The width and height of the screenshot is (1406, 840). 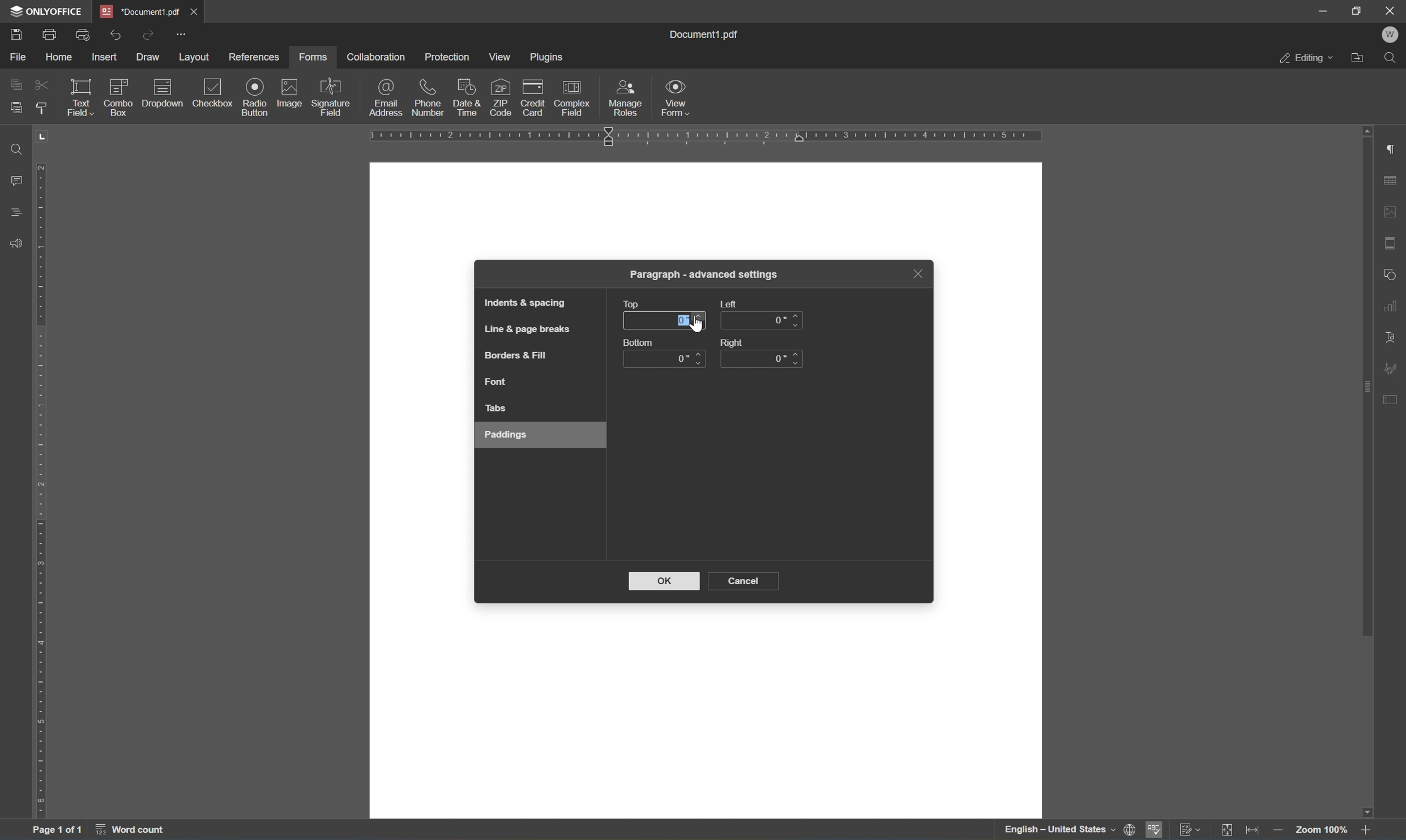 I want to click on print, so click(x=49, y=33).